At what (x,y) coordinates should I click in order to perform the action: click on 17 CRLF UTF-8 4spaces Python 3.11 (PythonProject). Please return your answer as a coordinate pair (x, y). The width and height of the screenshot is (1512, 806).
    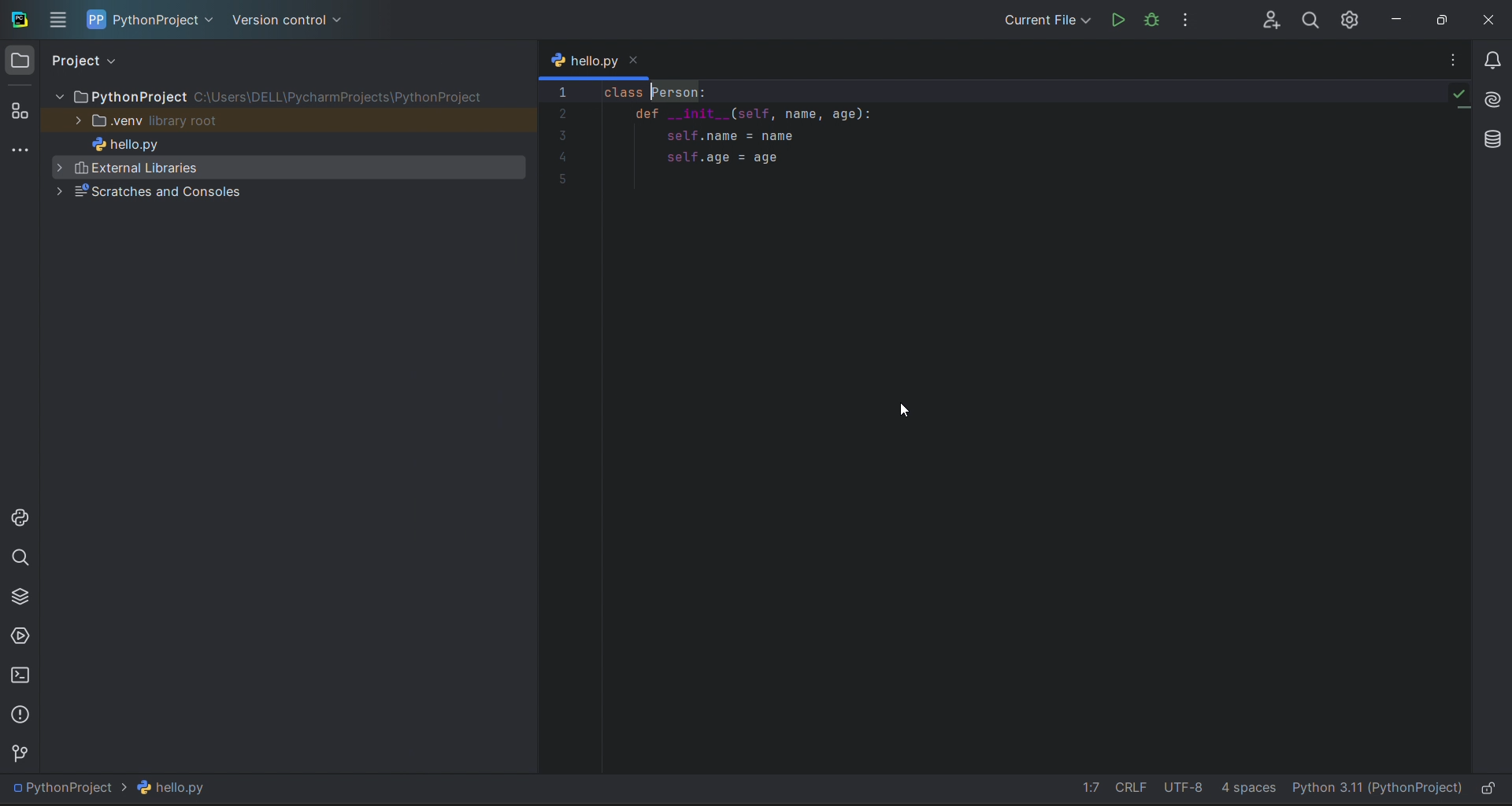
    Looking at the image, I should click on (1273, 786).